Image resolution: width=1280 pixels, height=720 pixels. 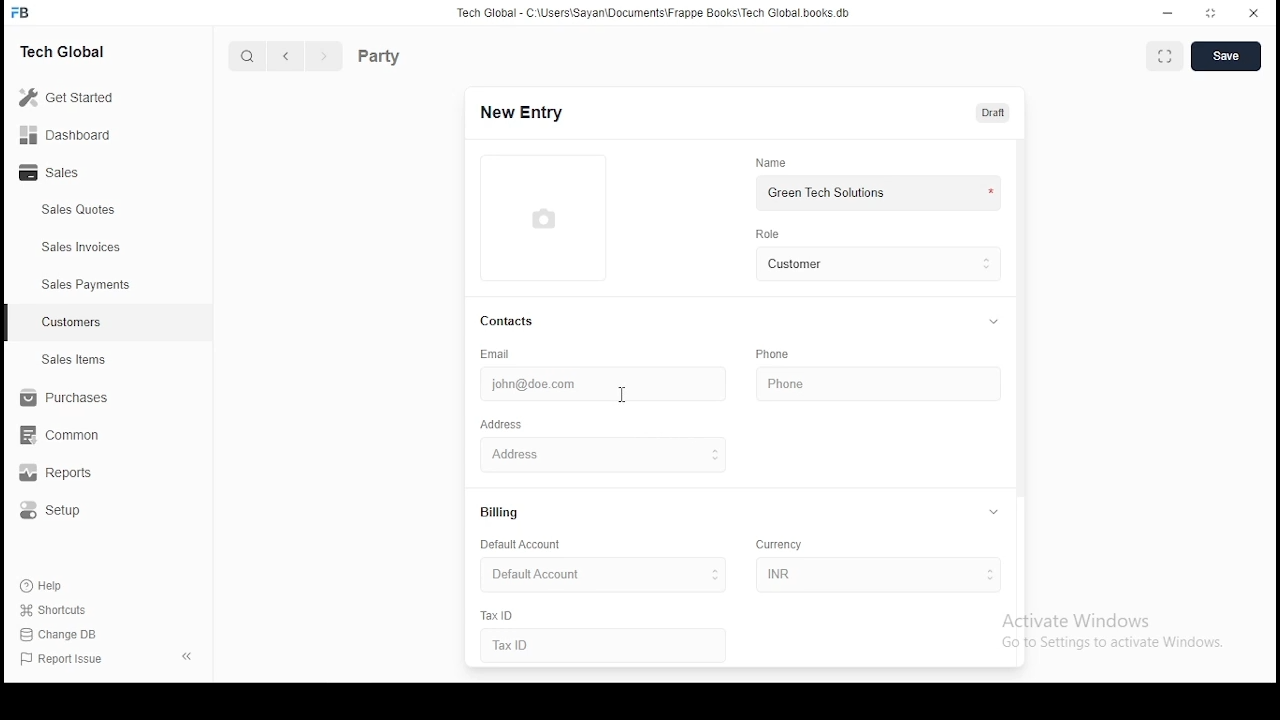 I want to click on tax ID, so click(x=500, y=616).